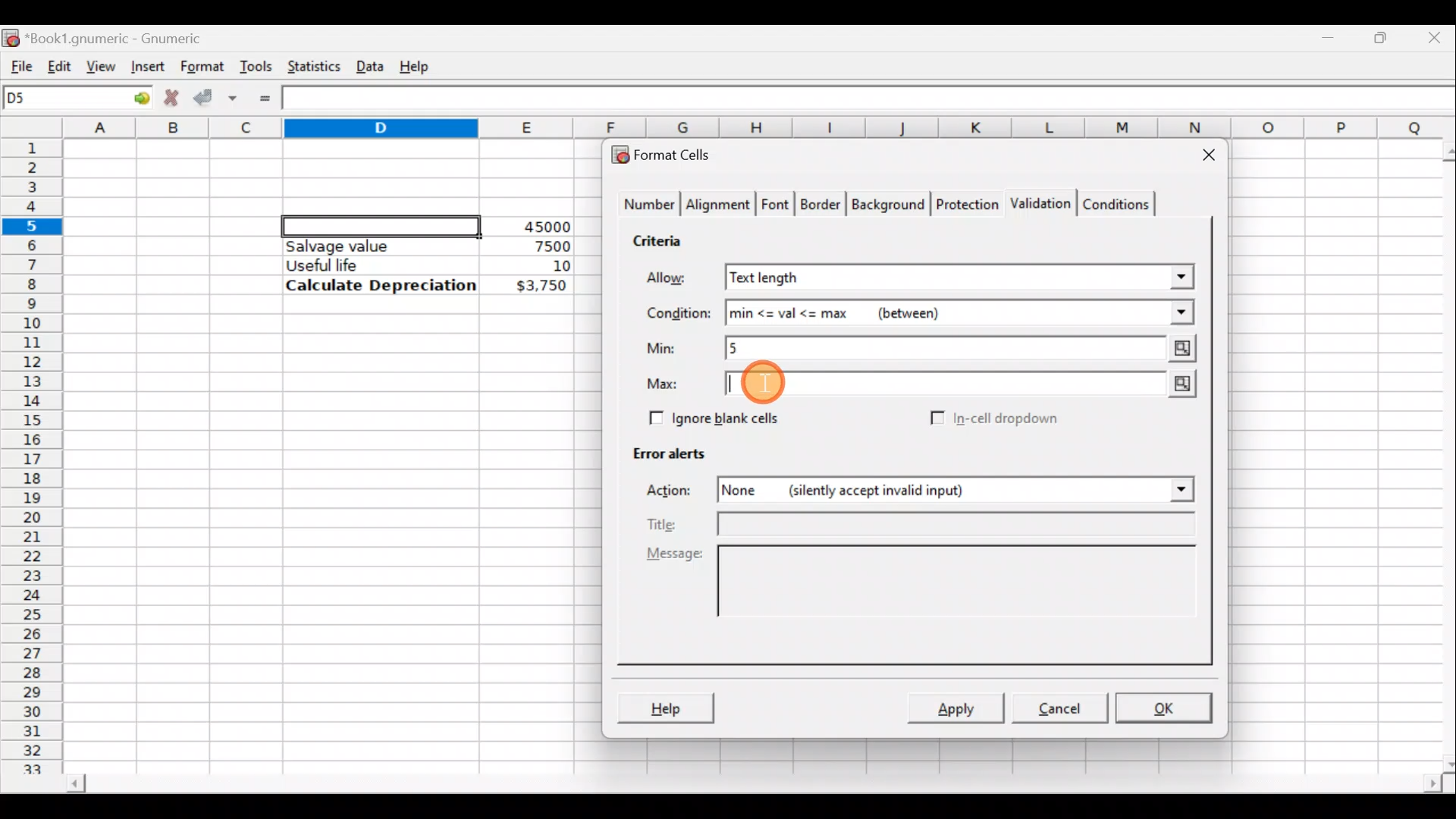 The height and width of the screenshot is (819, 1456). Describe the element at coordinates (873, 100) in the screenshot. I see `Formula bar` at that location.